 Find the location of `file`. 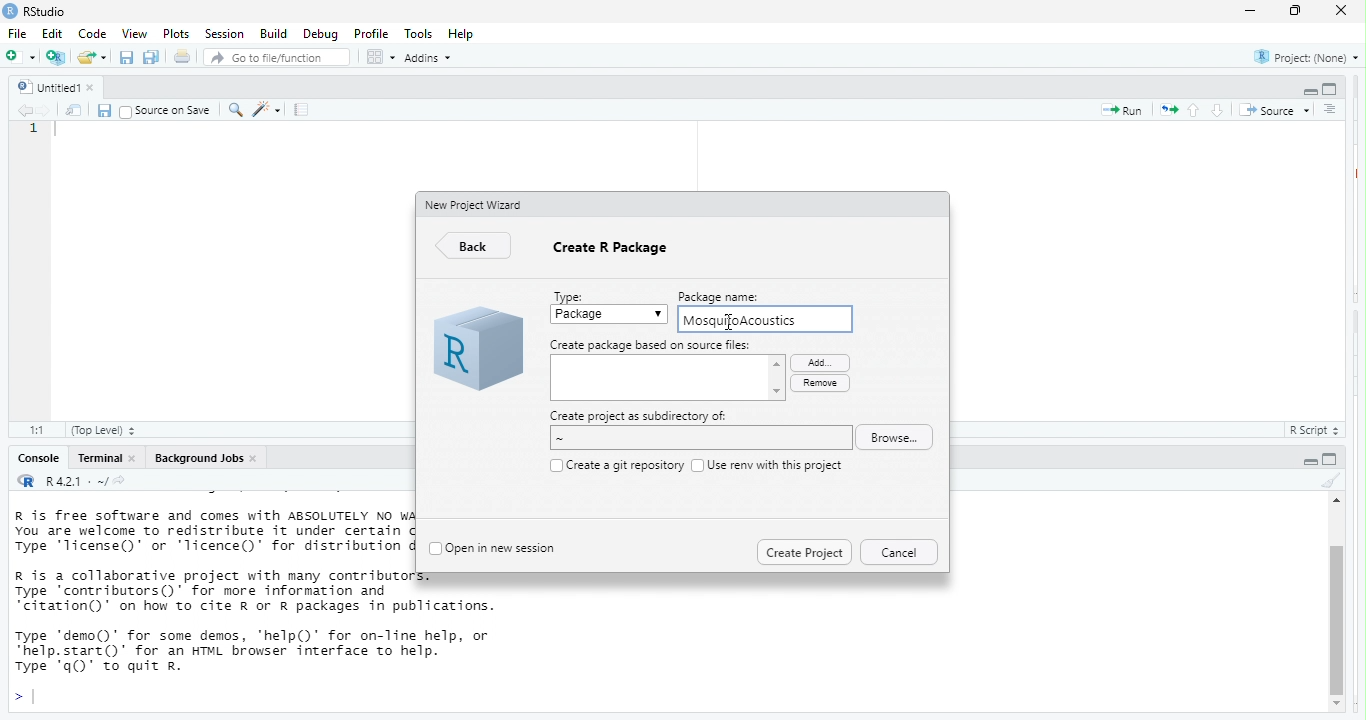

file is located at coordinates (20, 35).